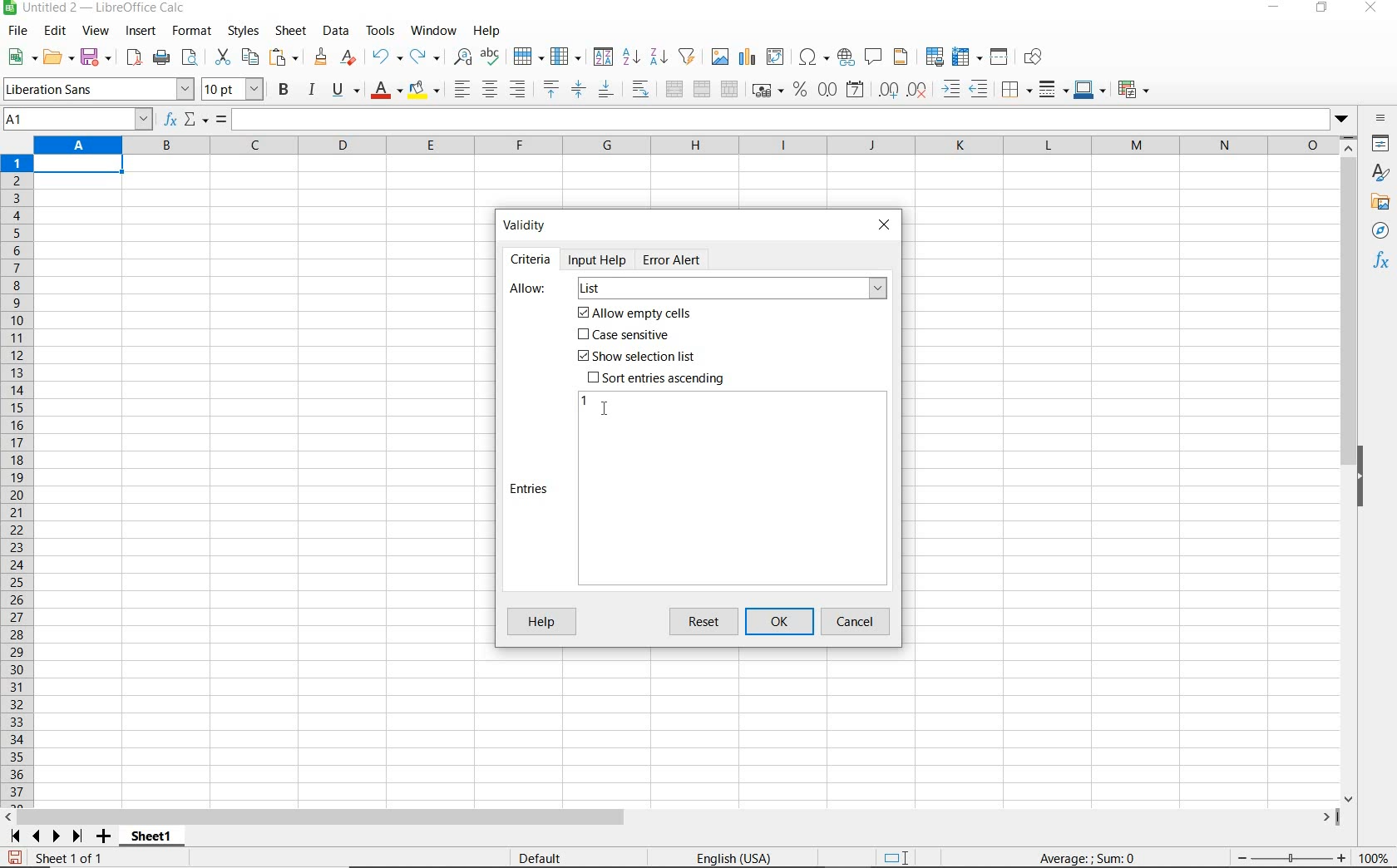 This screenshot has width=1397, height=868. What do you see at coordinates (540, 623) in the screenshot?
I see `Help` at bounding box center [540, 623].